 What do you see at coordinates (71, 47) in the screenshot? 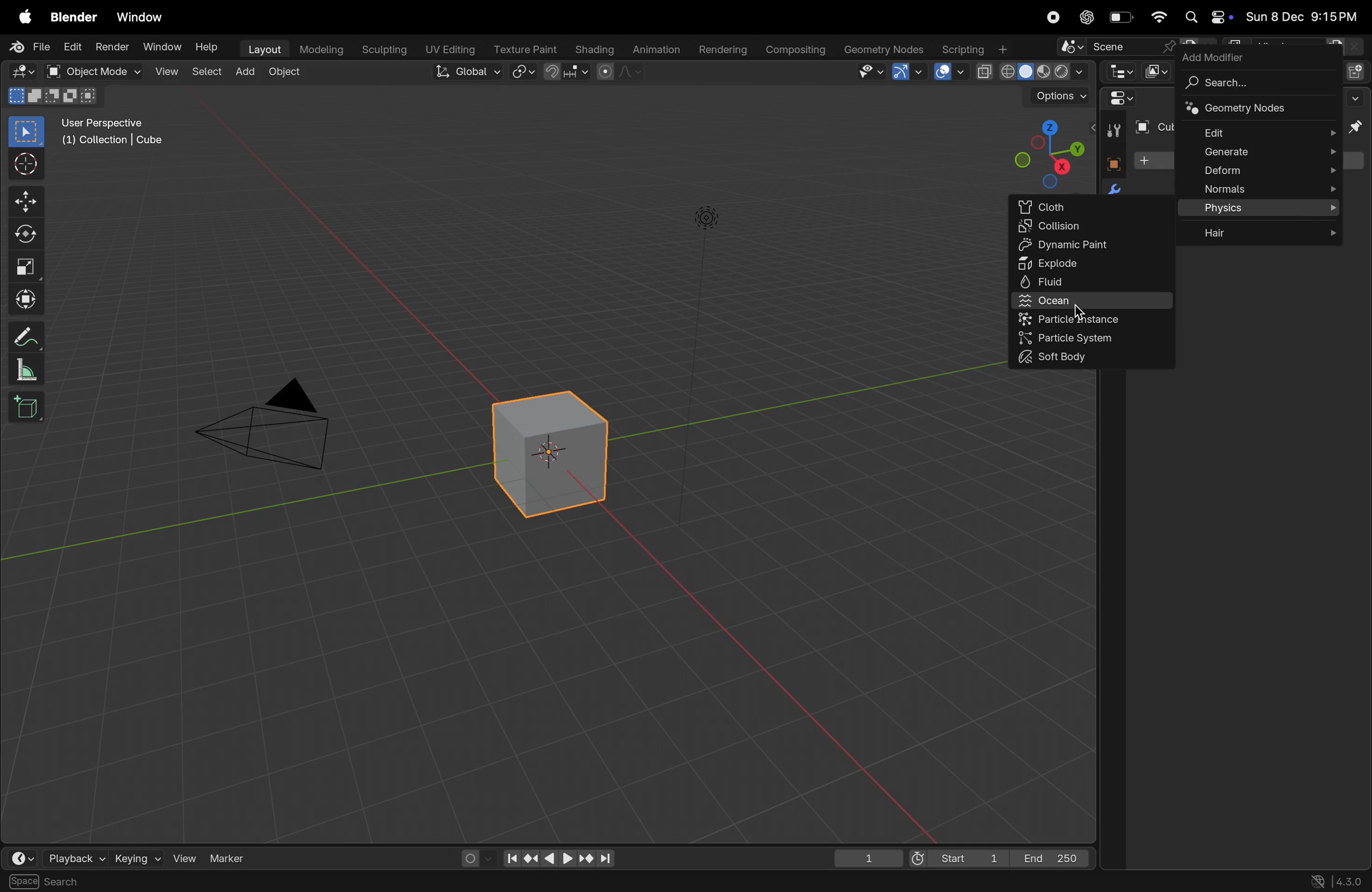
I see `edit` at bounding box center [71, 47].